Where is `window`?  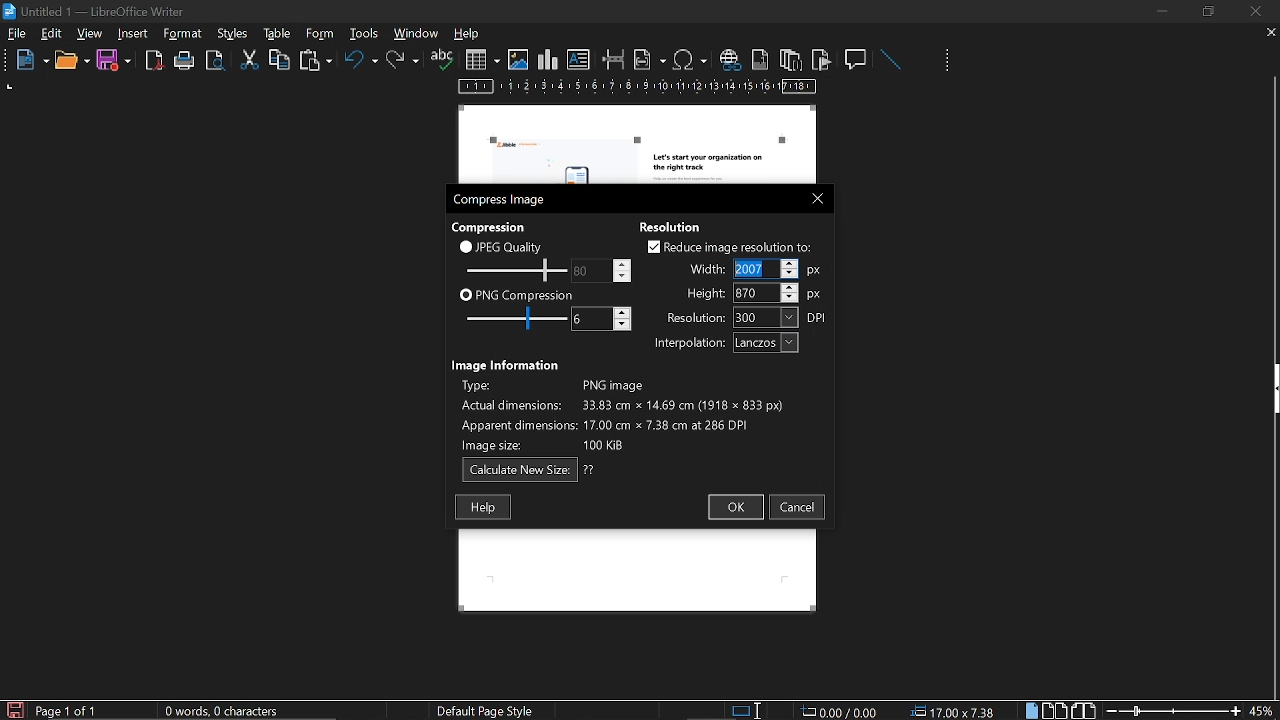
window is located at coordinates (417, 33).